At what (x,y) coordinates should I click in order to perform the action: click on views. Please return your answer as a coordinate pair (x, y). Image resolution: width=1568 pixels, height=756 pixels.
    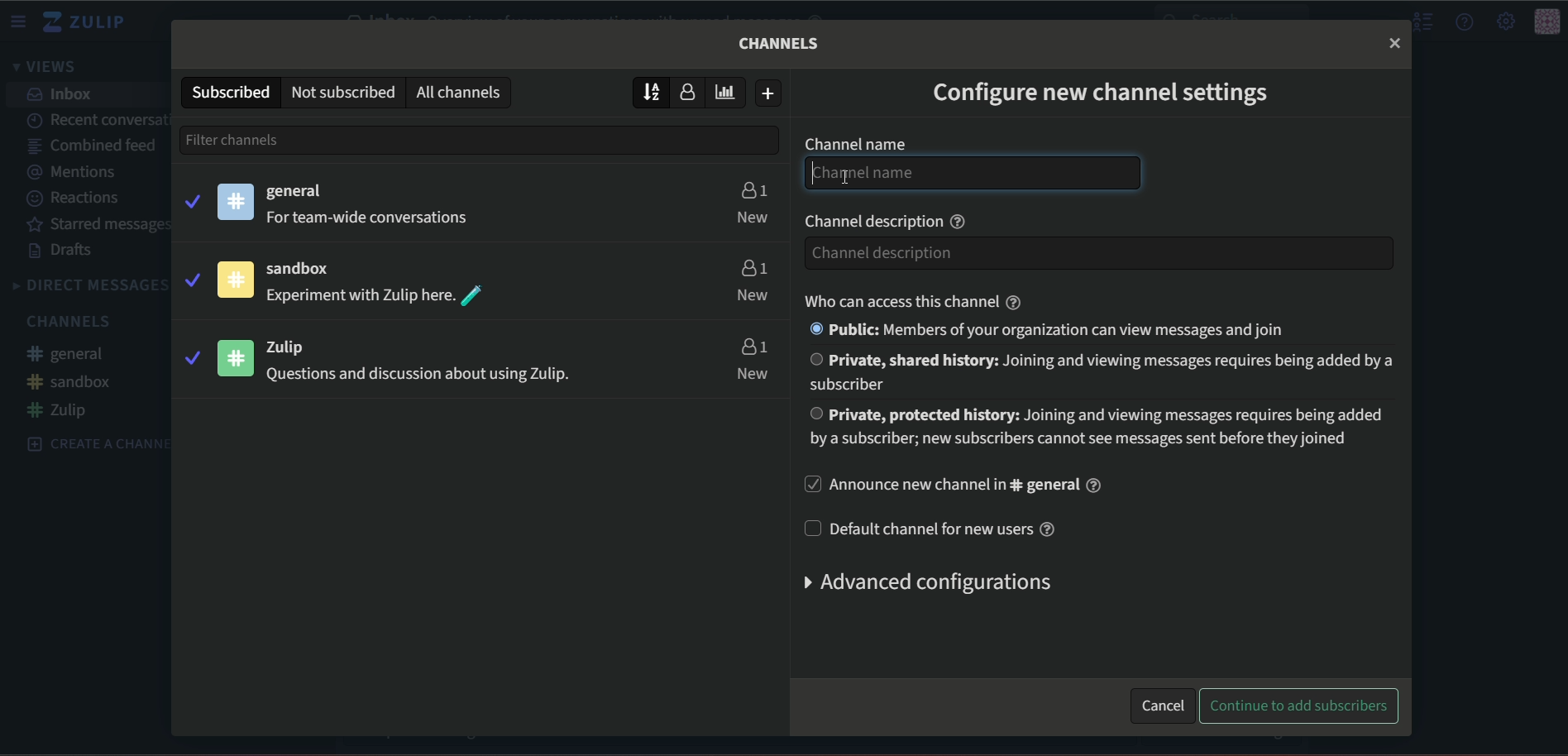
    Looking at the image, I should click on (50, 68).